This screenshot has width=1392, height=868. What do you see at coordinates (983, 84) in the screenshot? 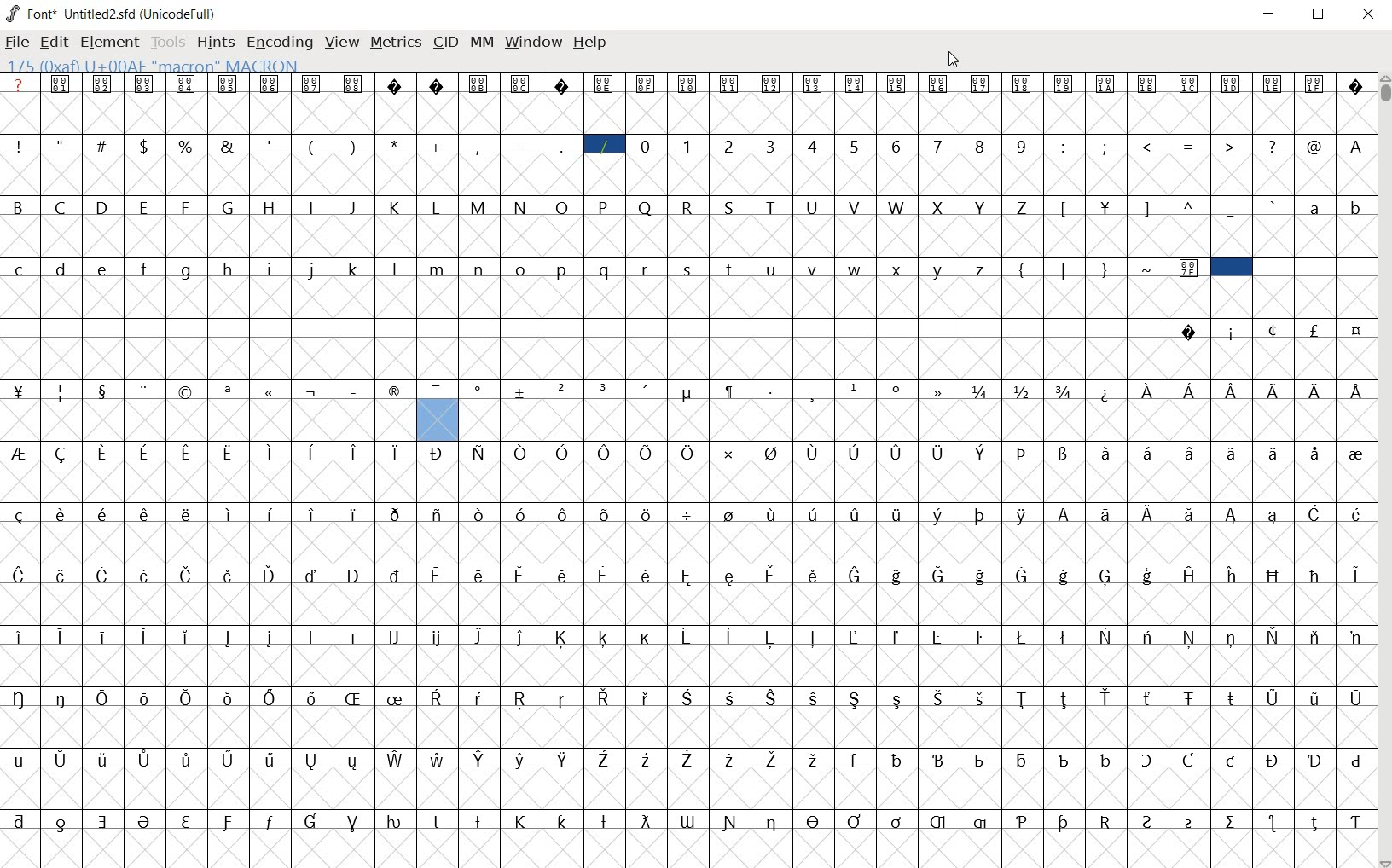
I see `Symbol` at bounding box center [983, 84].